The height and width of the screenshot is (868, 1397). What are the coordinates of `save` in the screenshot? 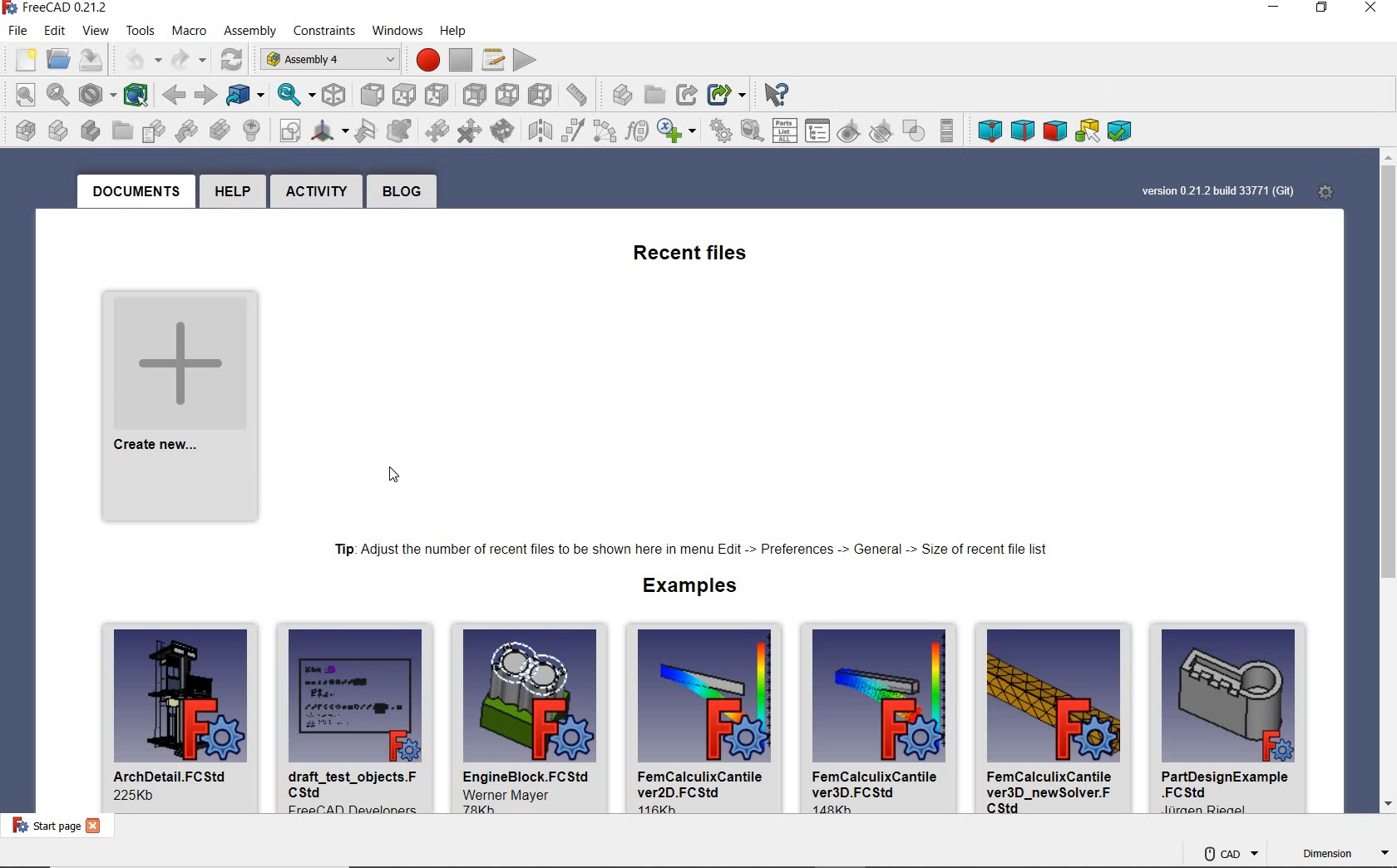 It's located at (91, 61).